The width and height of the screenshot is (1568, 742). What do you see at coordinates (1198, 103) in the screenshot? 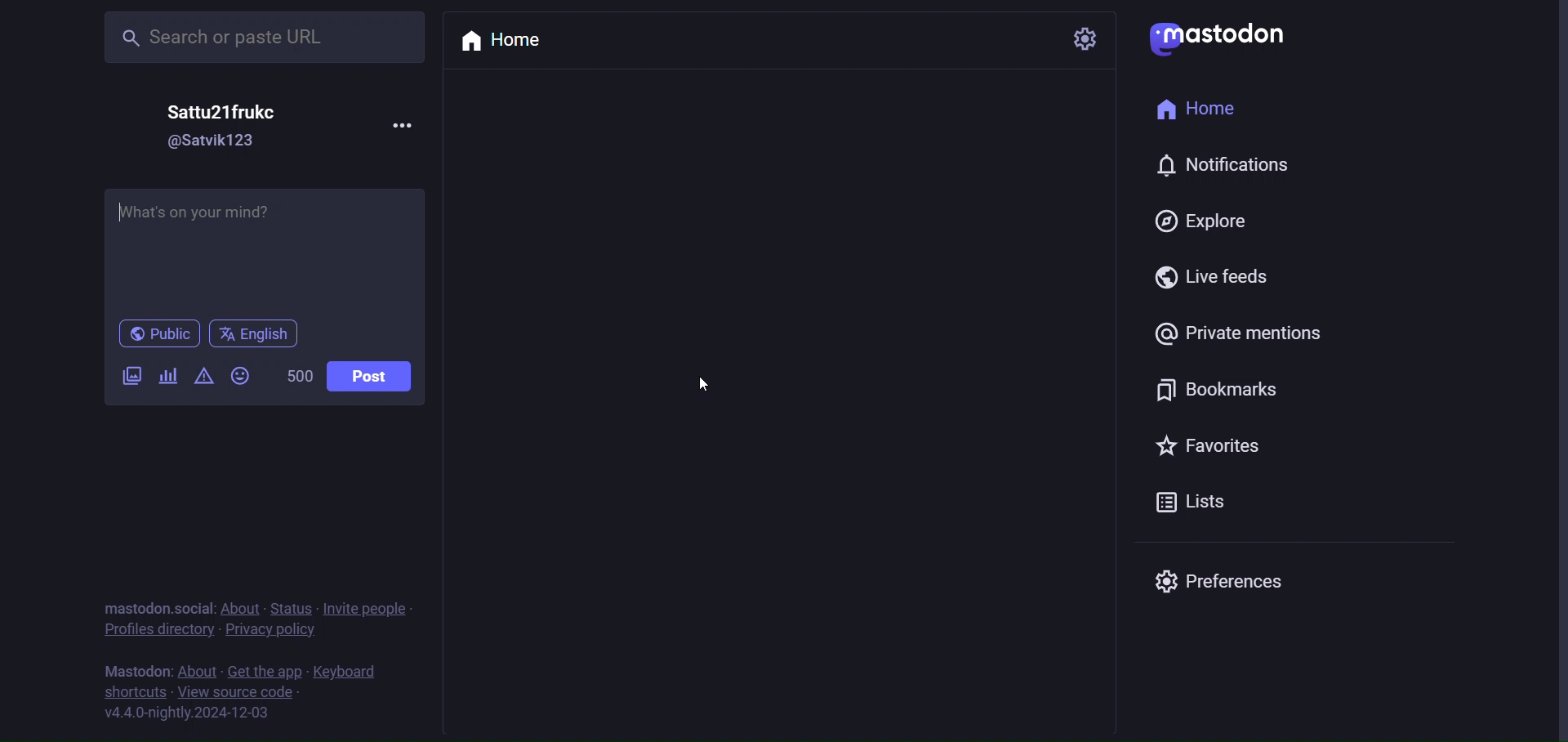
I see `home` at bounding box center [1198, 103].